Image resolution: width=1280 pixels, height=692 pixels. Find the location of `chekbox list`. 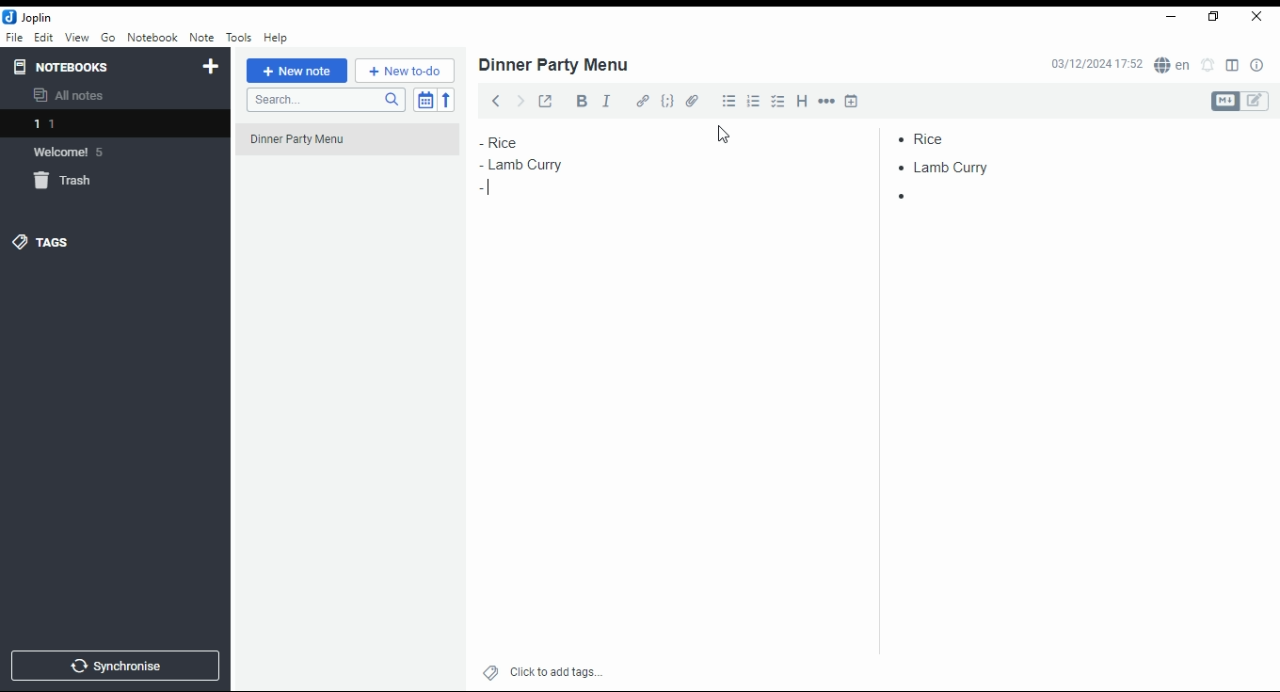

chekbox list is located at coordinates (779, 101).